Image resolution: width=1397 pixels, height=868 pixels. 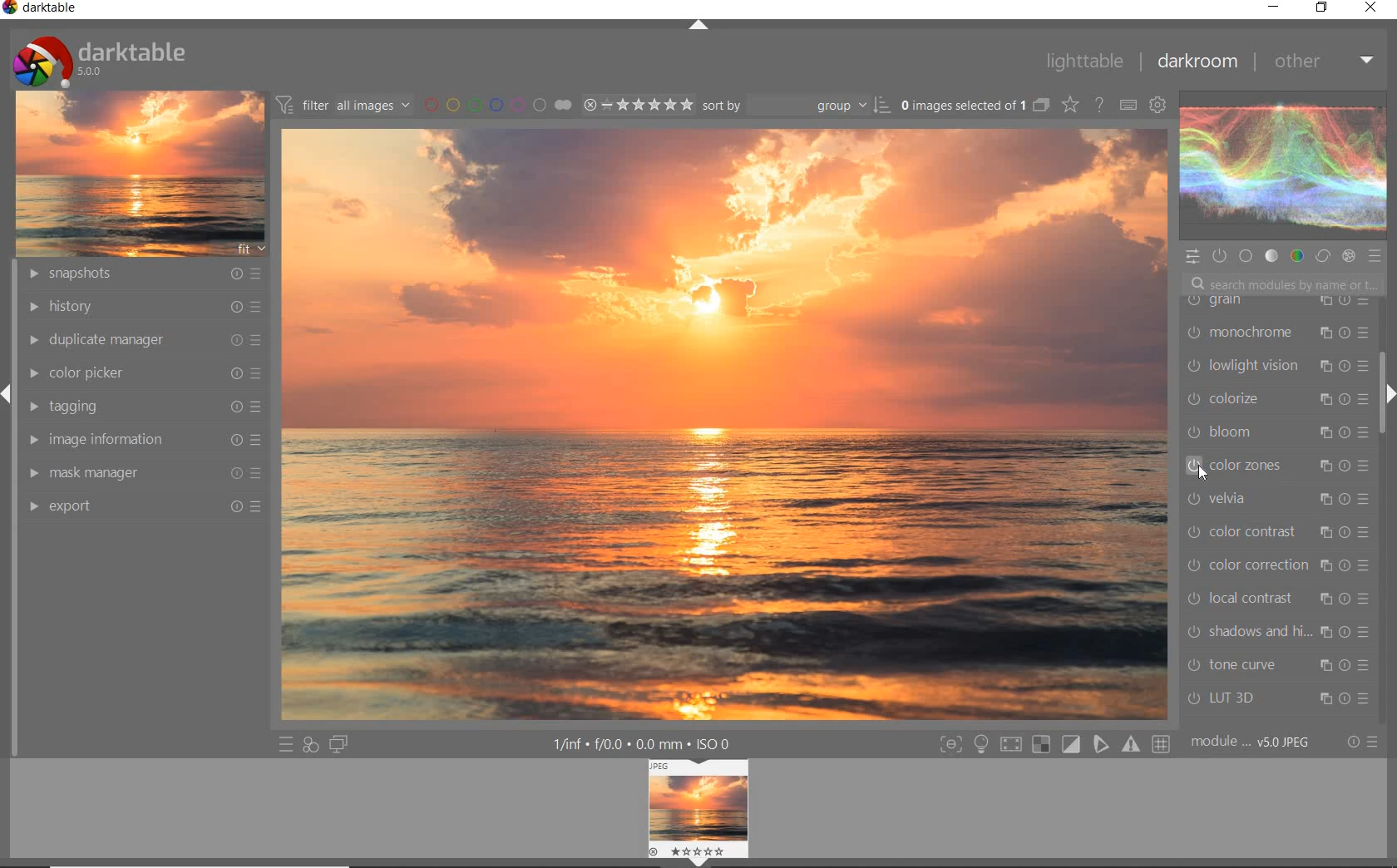 I want to click on ENABLE FOR ONLINE HELP, so click(x=1102, y=104).